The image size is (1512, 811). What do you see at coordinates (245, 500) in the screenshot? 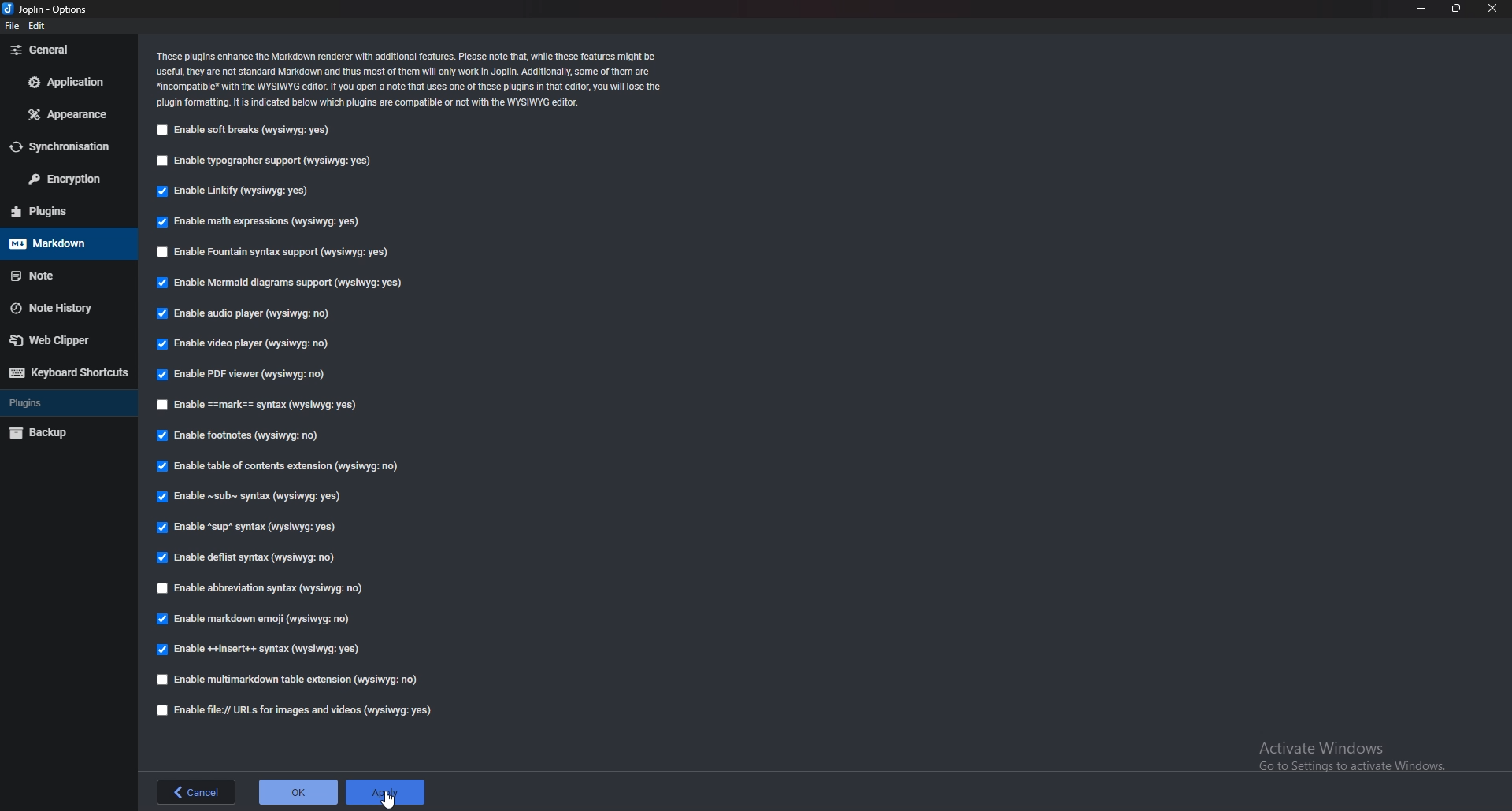
I see `Enable sub syntax` at bounding box center [245, 500].